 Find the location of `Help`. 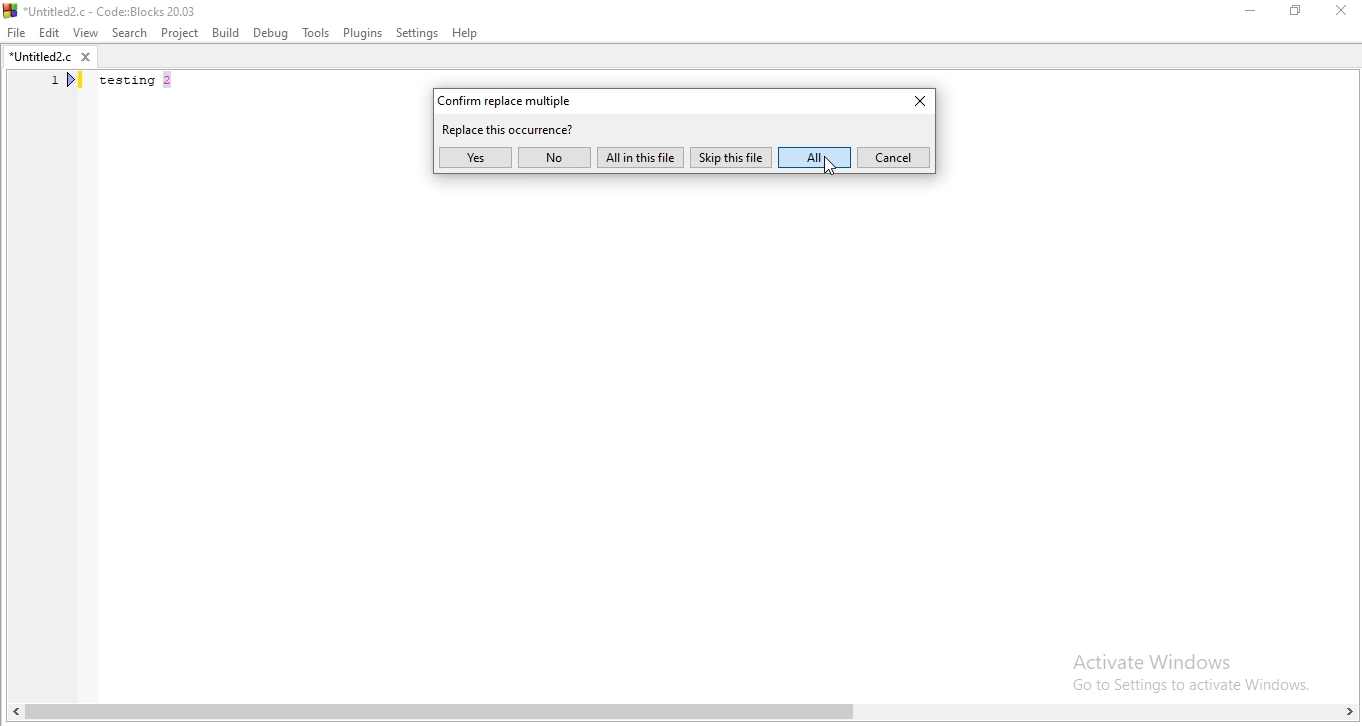

Help is located at coordinates (467, 33).